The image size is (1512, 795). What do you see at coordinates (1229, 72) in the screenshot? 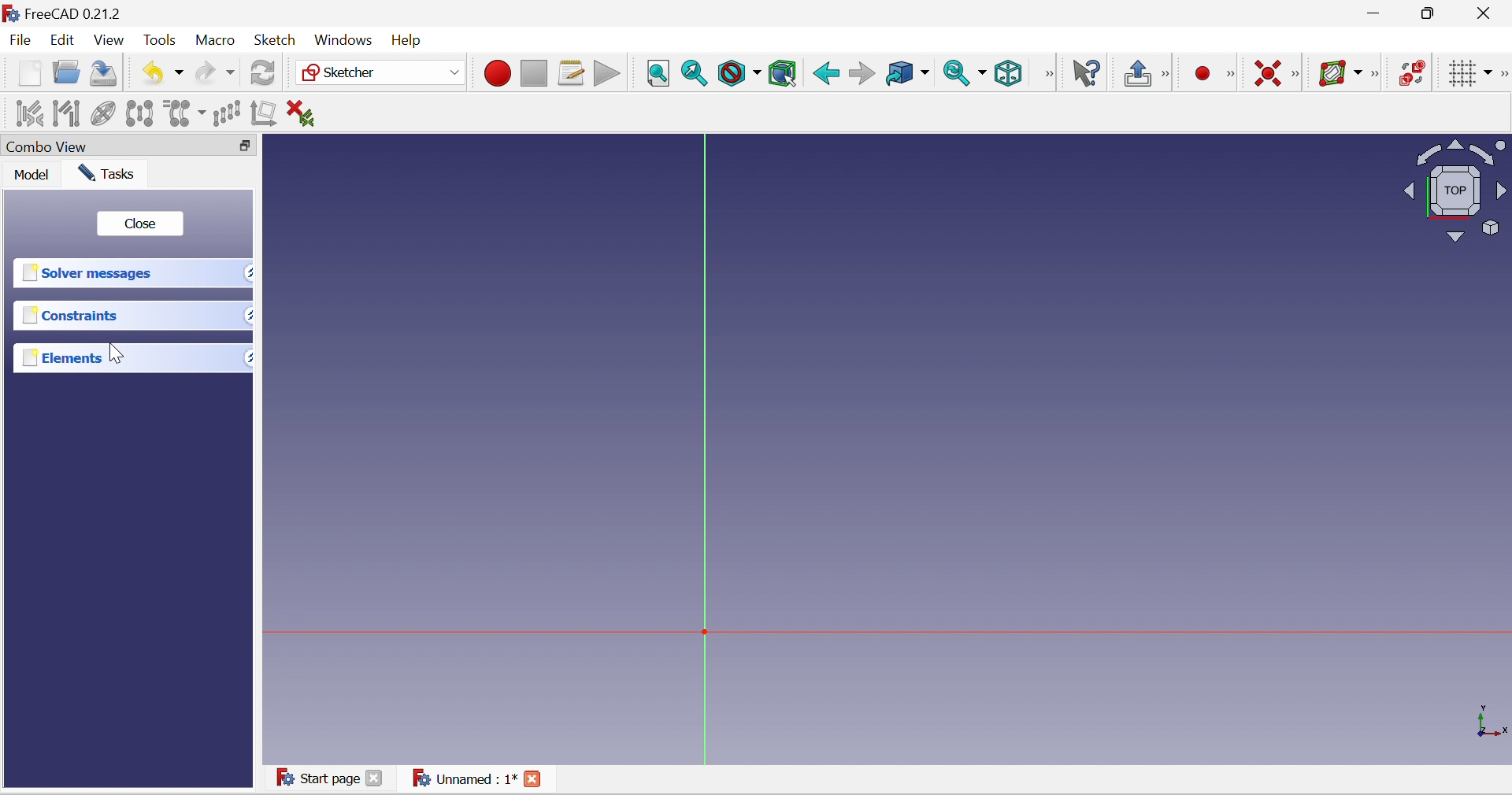
I see `[Sketcher geometries]` at bounding box center [1229, 72].